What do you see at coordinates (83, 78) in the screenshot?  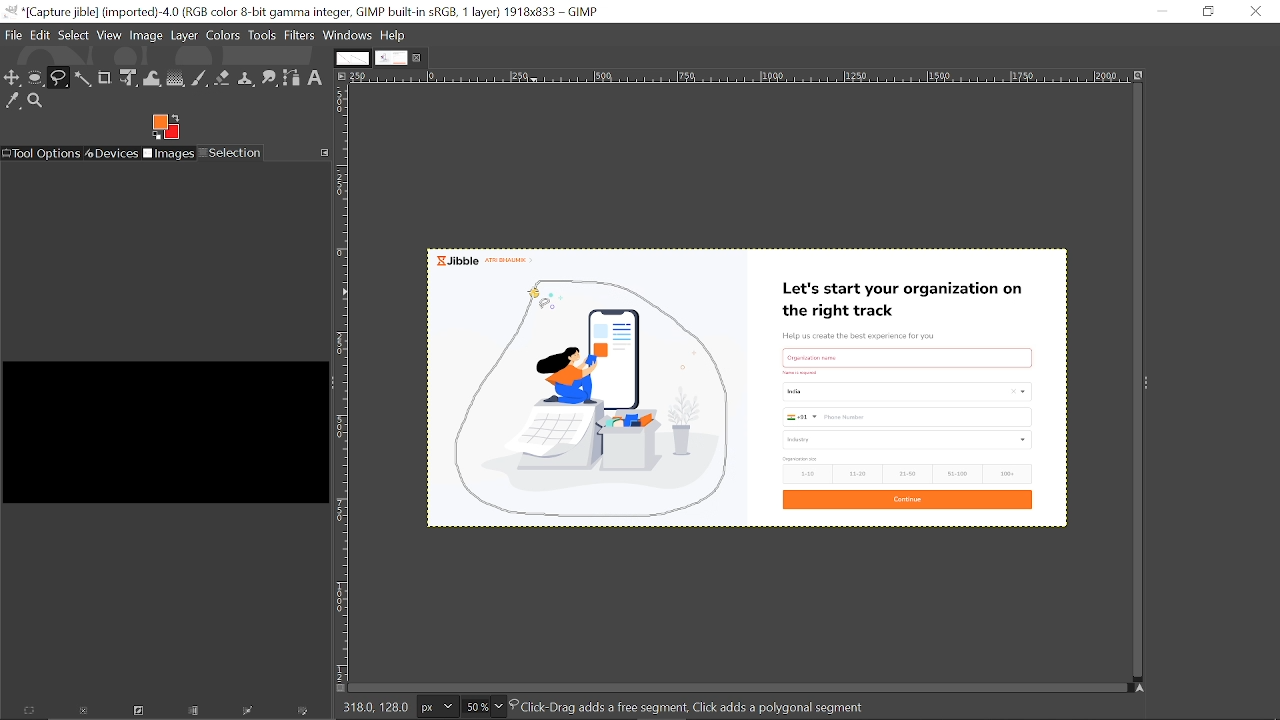 I see `Fuzzy text tool` at bounding box center [83, 78].